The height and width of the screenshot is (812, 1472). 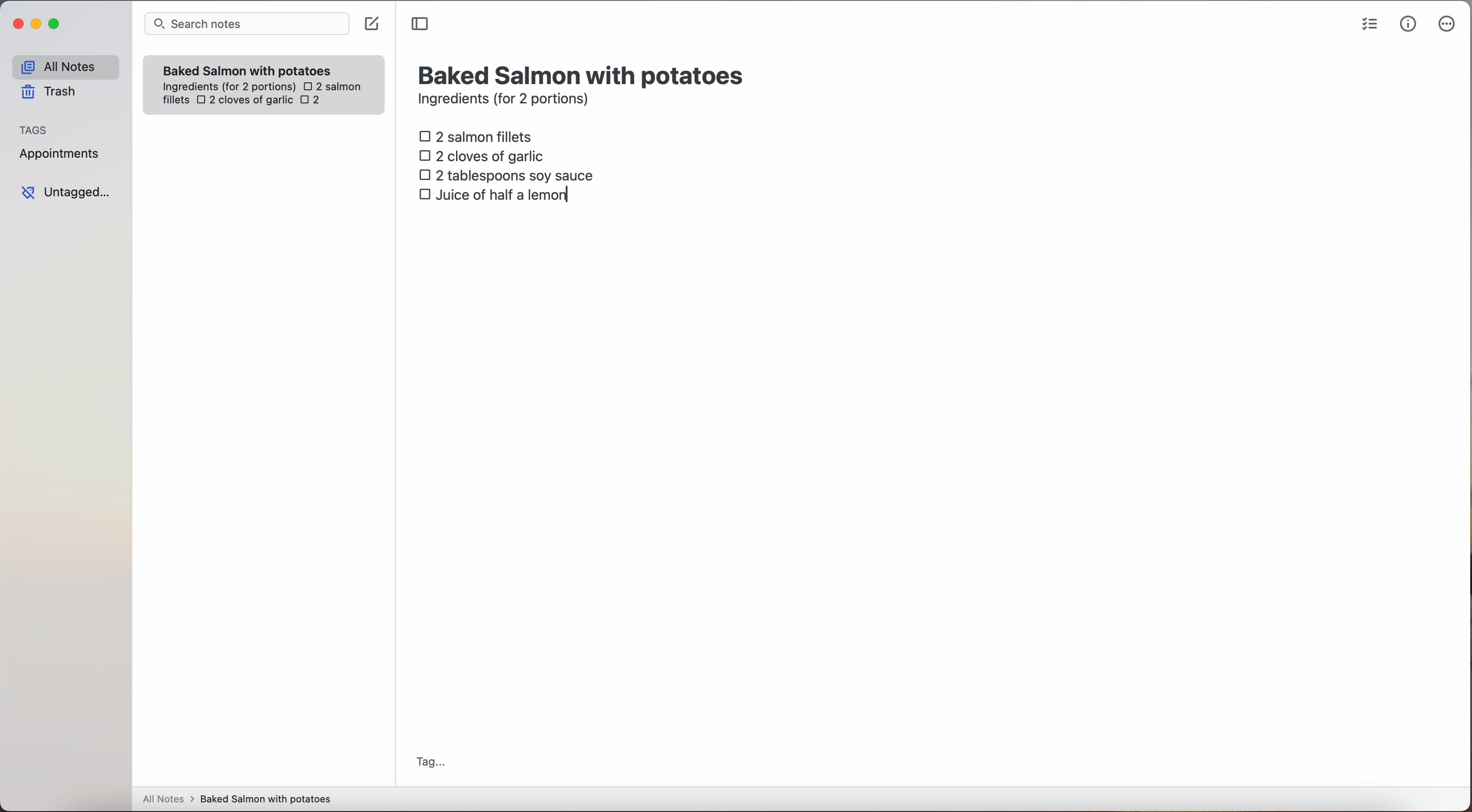 What do you see at coordinates (247, 68) in the screenshot?
I see `Baked Salmon with potatoes` at bounding box center [247, 68].